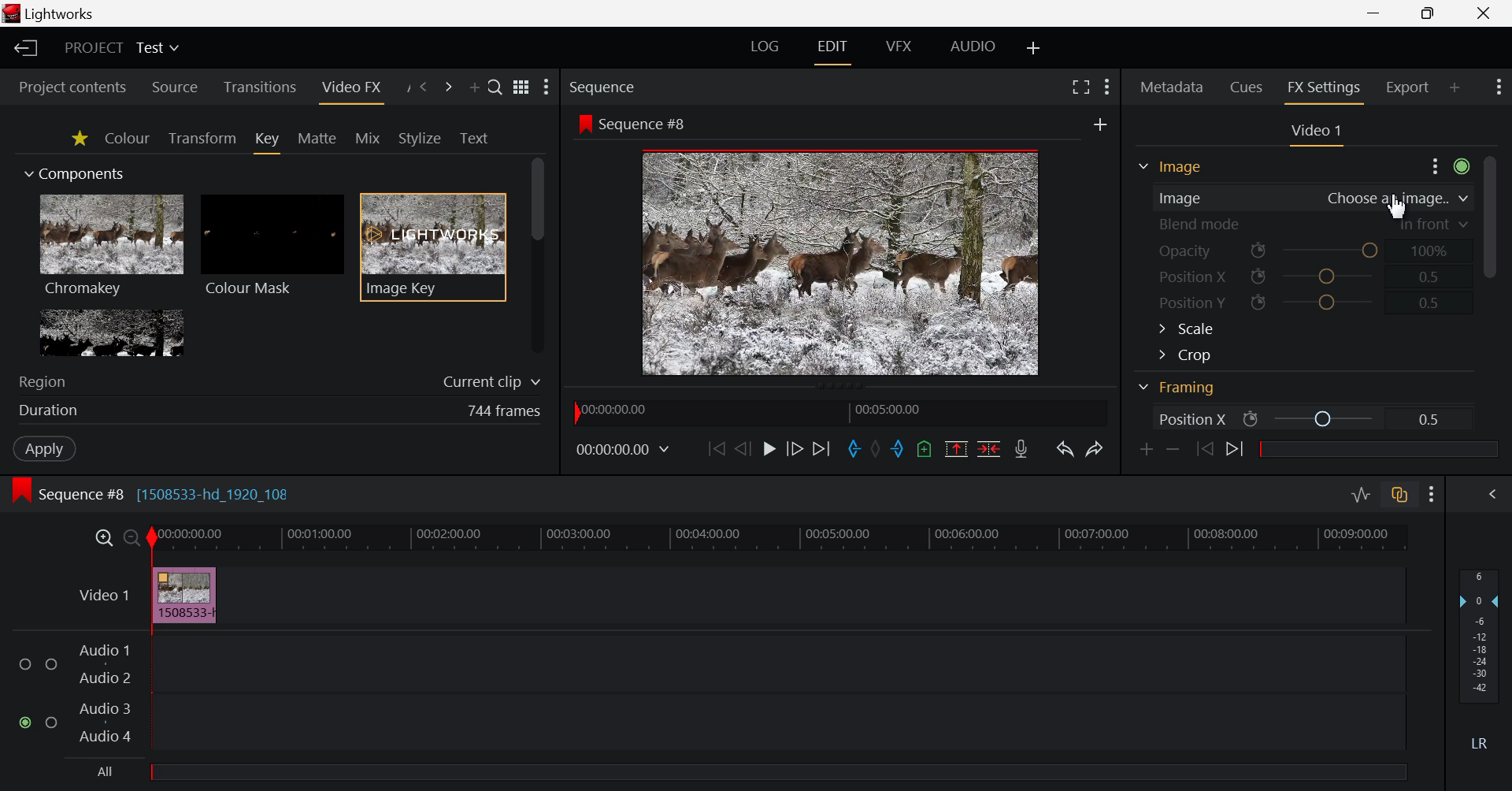 The width and height of the screenshot is (1512, 791). Describe the element at coordinates (841, 262) in the screenshot. I see `Sequence Preview Screen` at that location.